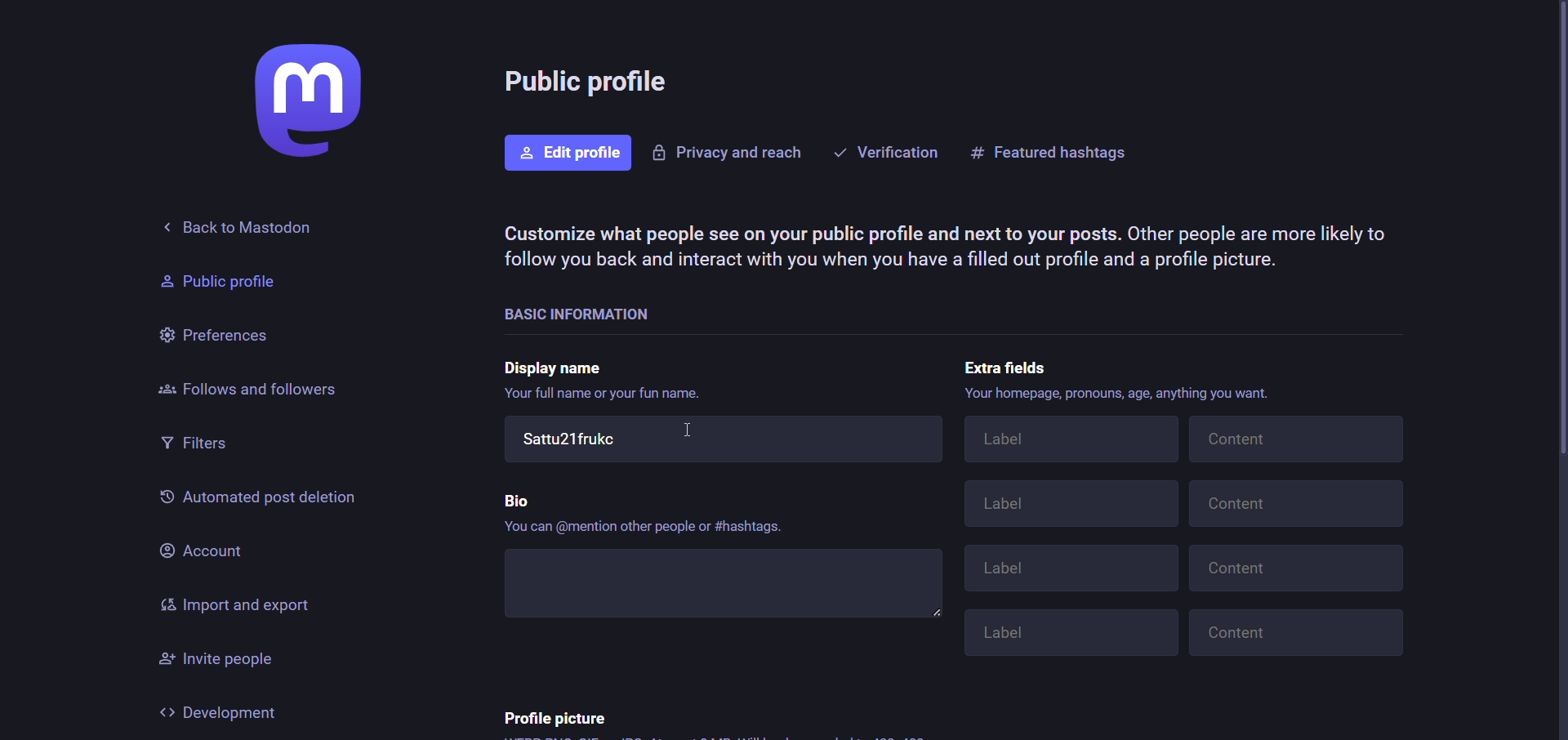  Describe the element at coordinates (1071, 506) in the screenshot. I see `Label` at that location.